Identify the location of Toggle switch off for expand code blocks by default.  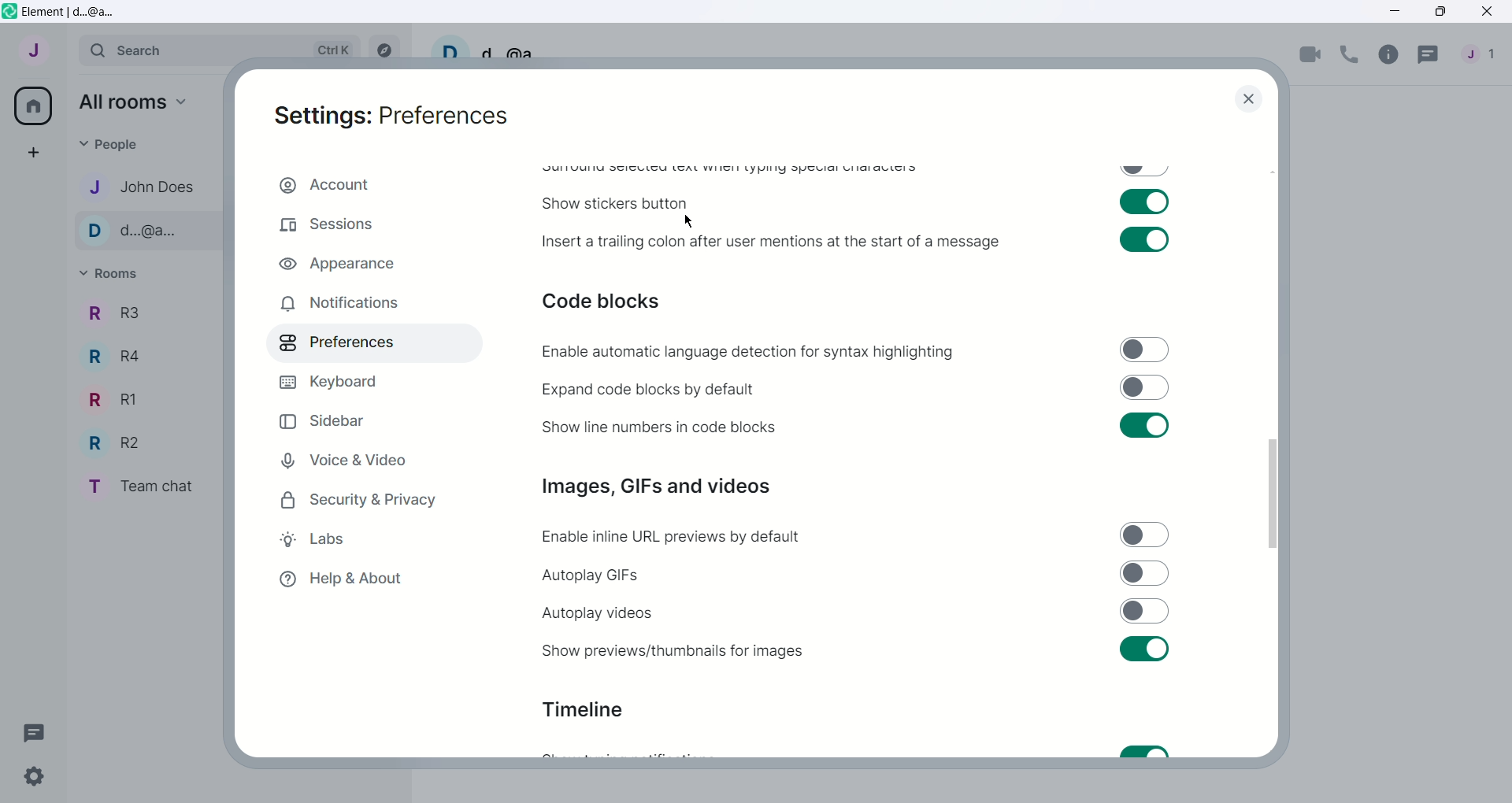
(1145, 387).